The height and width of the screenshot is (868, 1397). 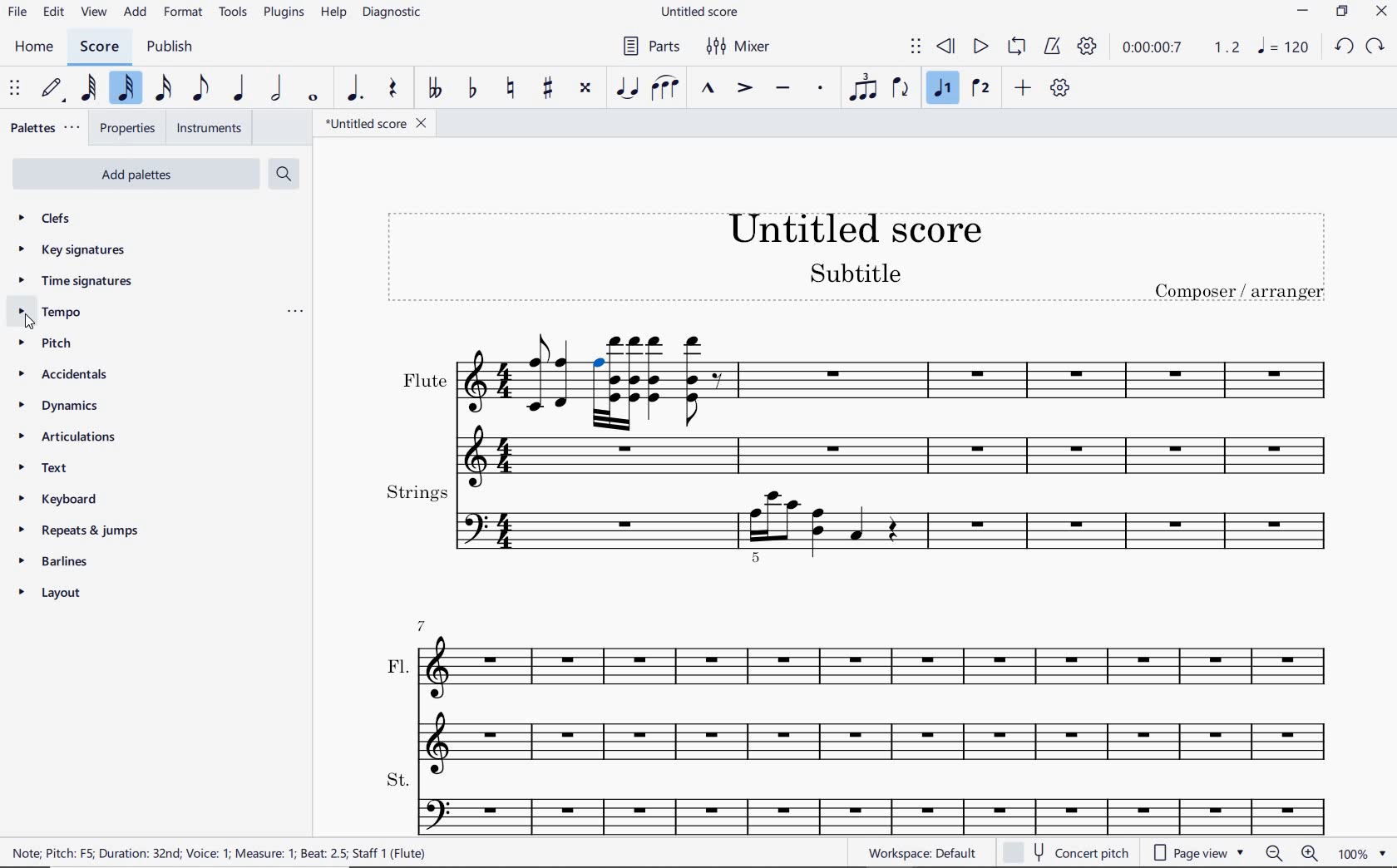 What do you see at coordinates (71, 311) in the screenshot?
I see `tempo` at bounding box center [71, 311].